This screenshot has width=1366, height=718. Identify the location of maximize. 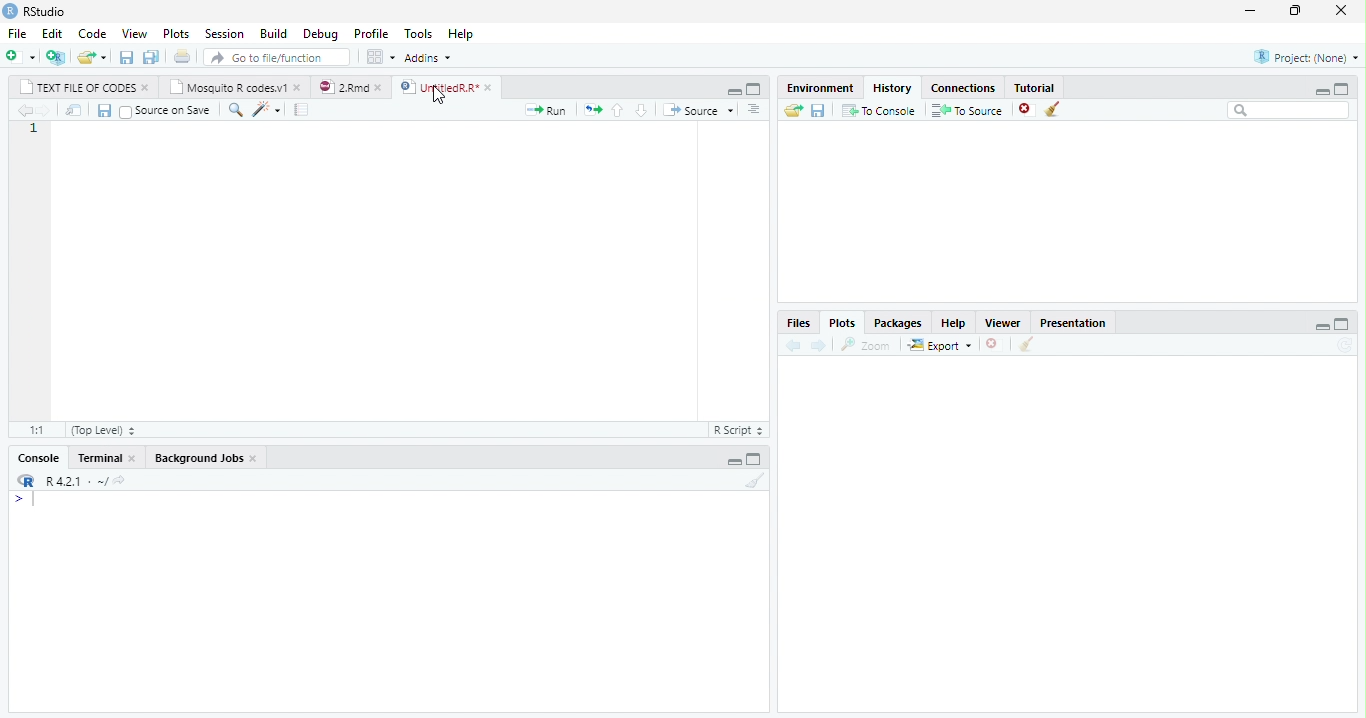
(1343, 325).